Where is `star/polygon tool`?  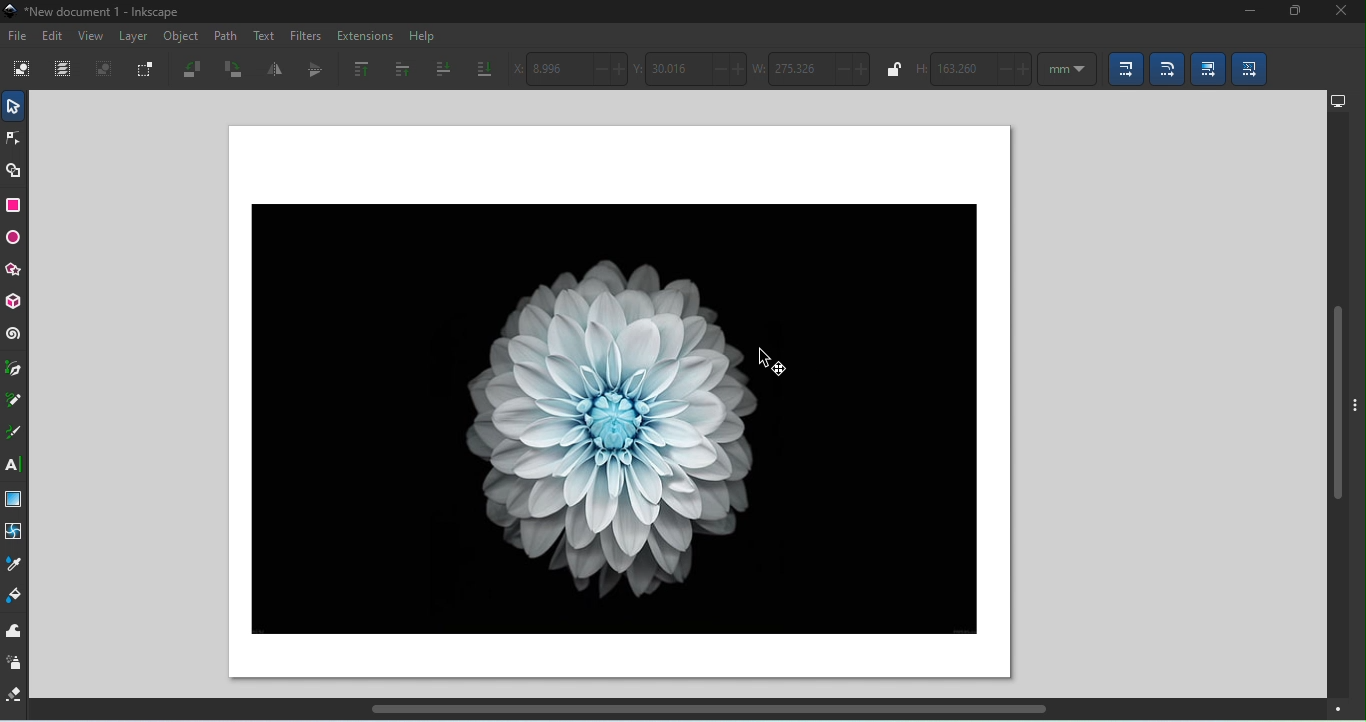
star/polygon tool is located at coordinates (13, 272).